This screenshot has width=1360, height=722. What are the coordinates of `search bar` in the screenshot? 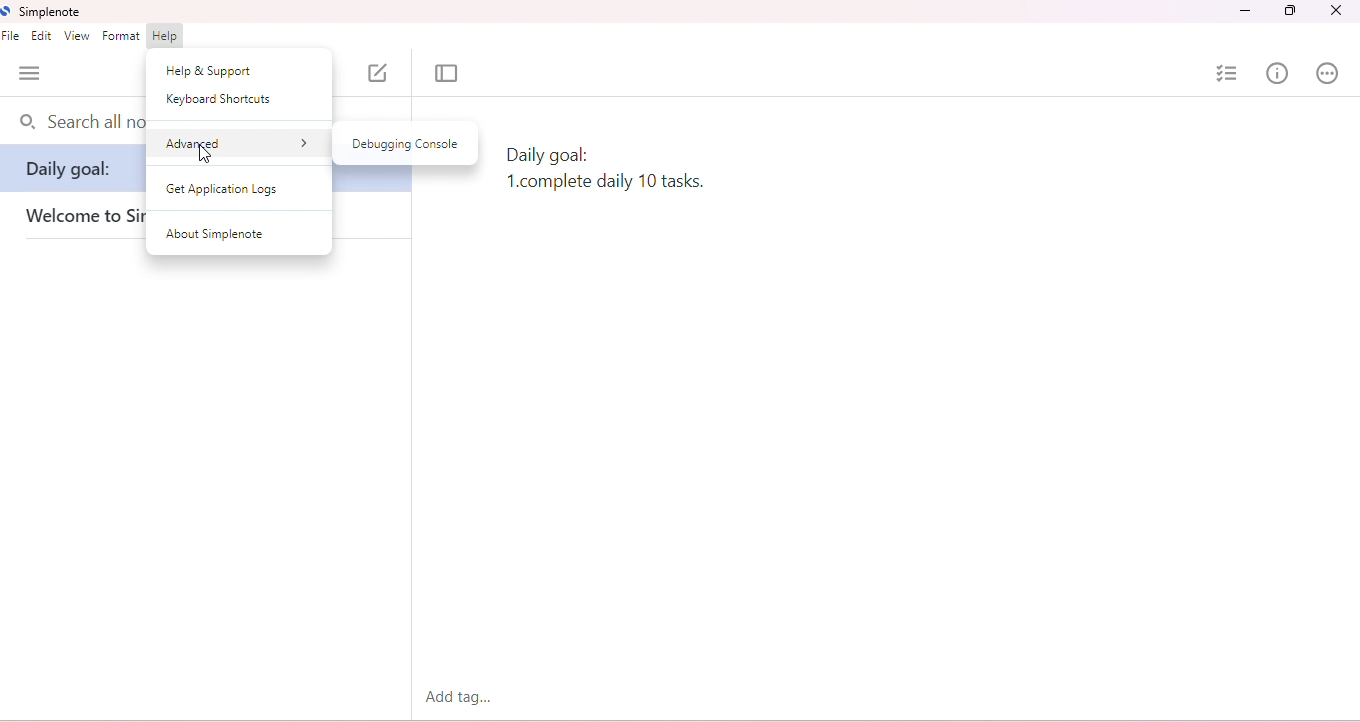 It's located at (76, 123).